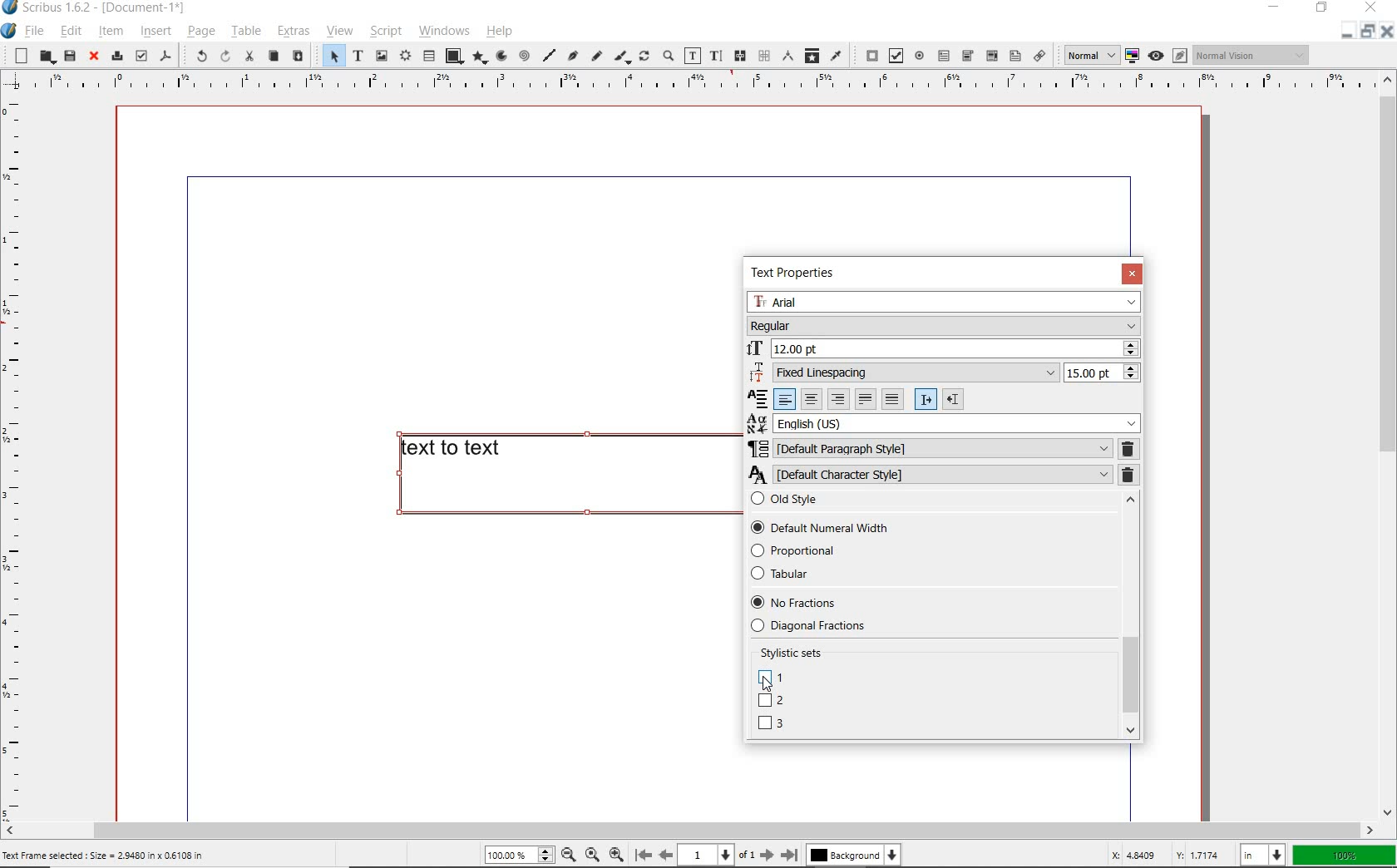  What do you see at coordinates (69, 56) in the screenshot?
I see `save` at bounding box center [69, 56].